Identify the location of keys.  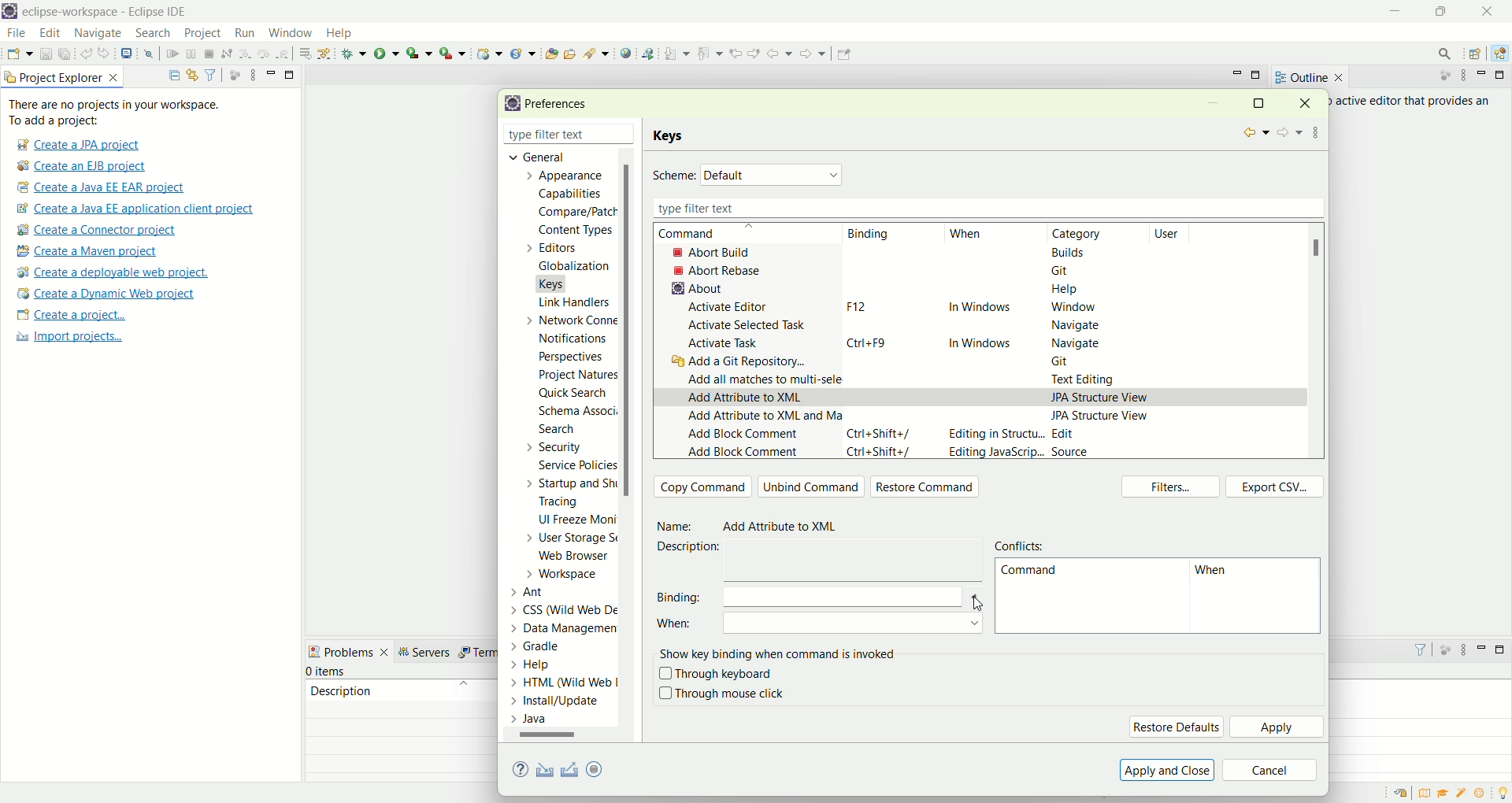
(672, 136).